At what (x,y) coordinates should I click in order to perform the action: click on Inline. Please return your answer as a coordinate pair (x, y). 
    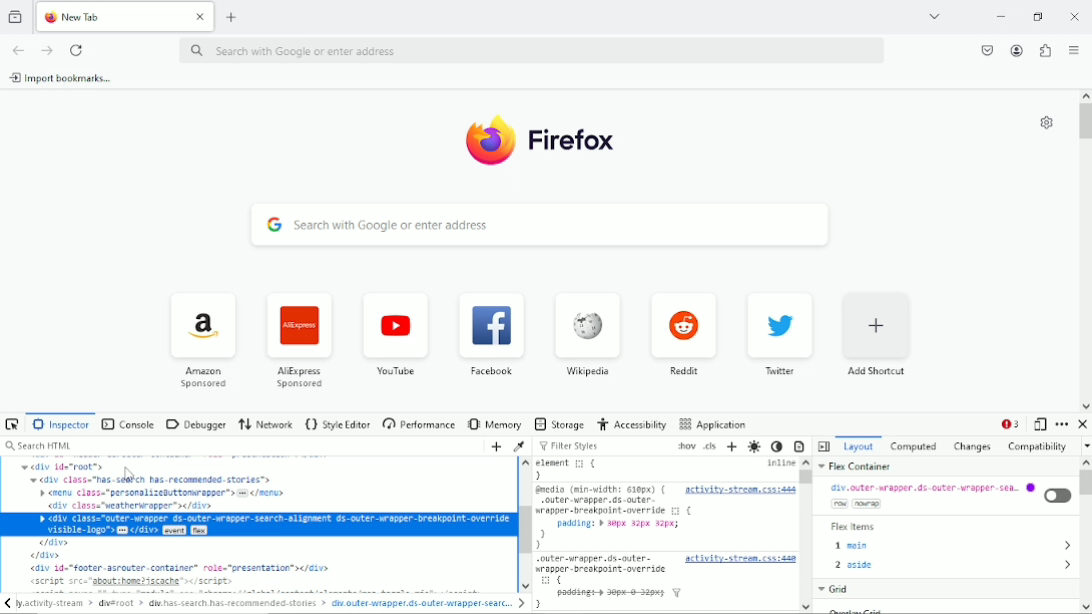
    Looking at the image, I should click on (781, 463).